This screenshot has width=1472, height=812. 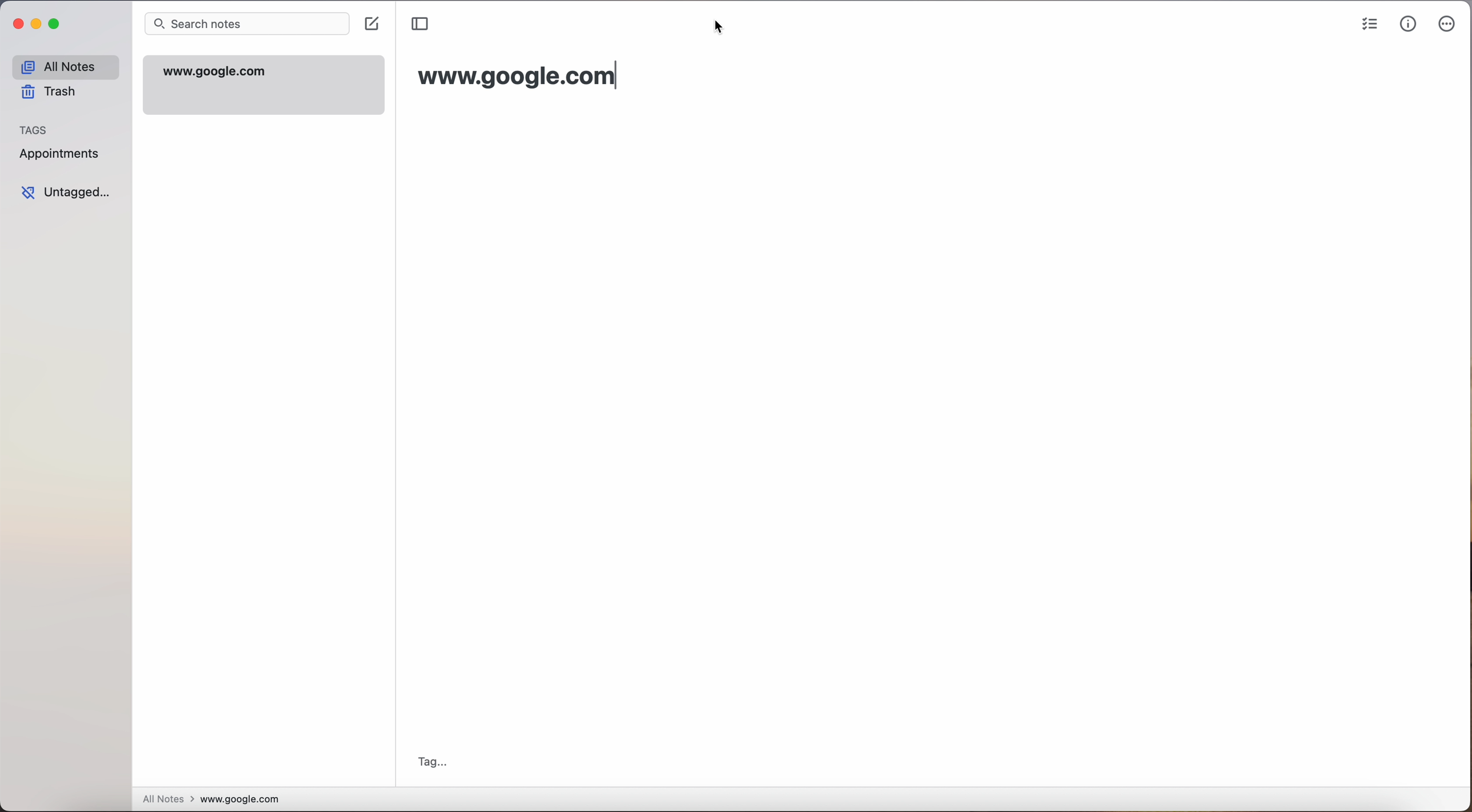 What do you see at coordinates (1448, 25) in the screenshot?
I see `more options` at bounding box center [1448, 25].